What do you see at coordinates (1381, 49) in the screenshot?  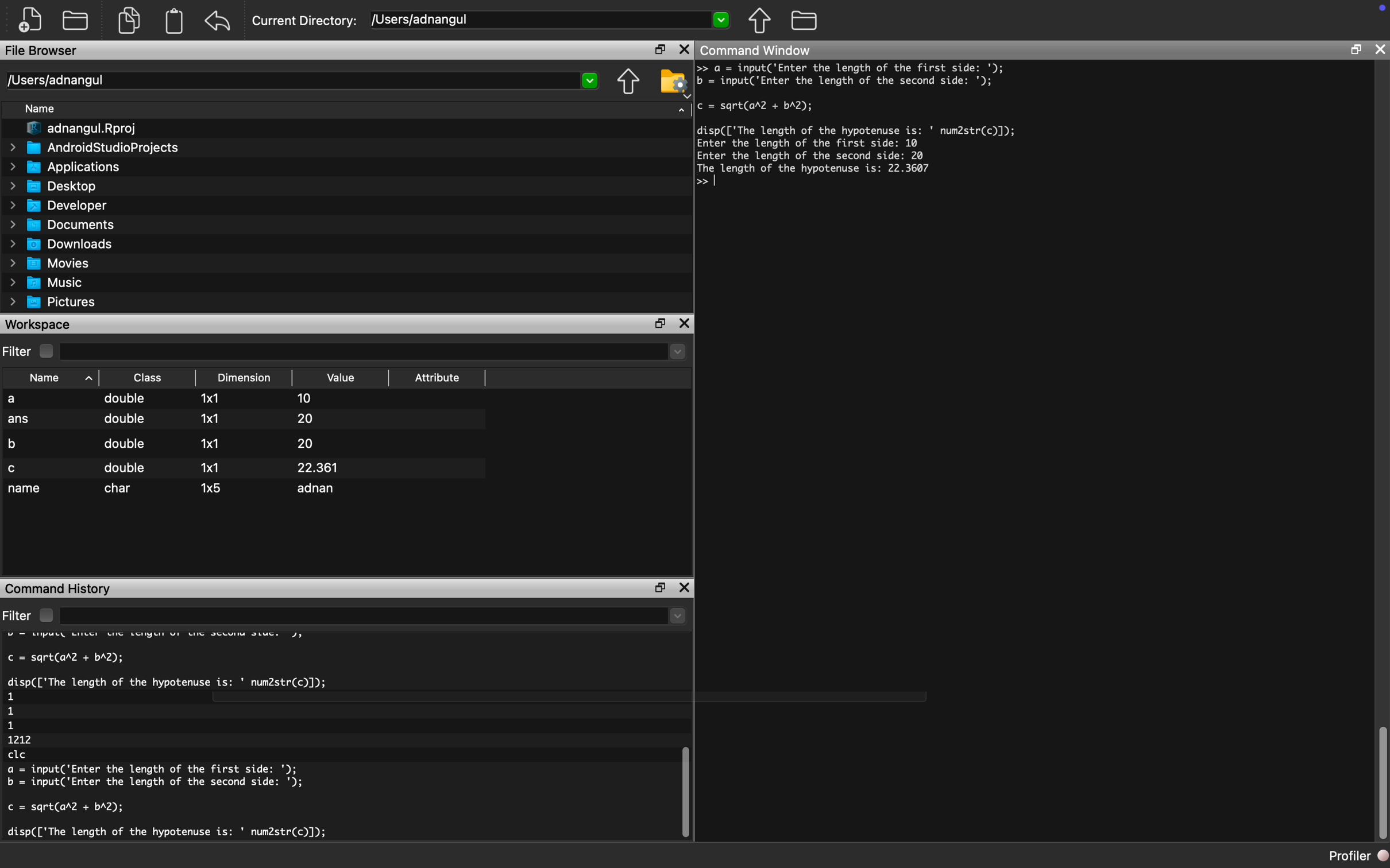 I see `close` at bounding box center [1381, 49].